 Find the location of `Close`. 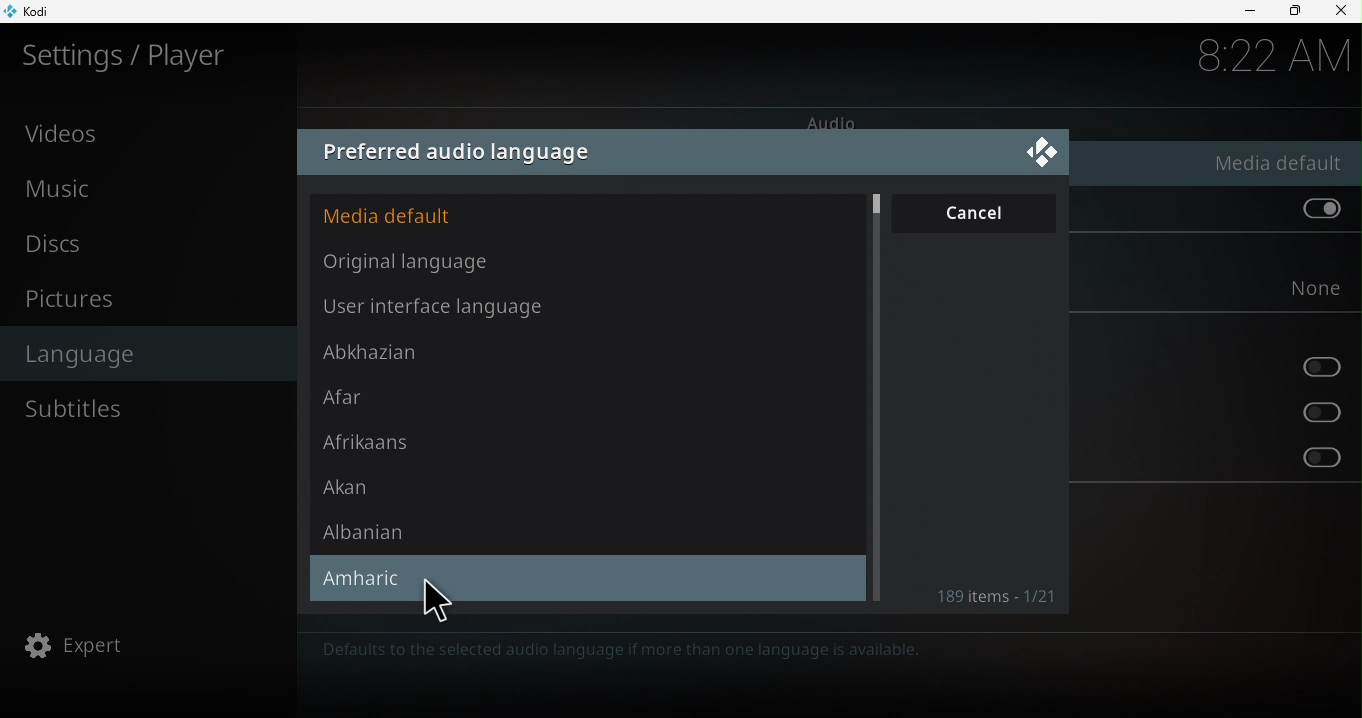

Close is located at coordinates (1048, 151).